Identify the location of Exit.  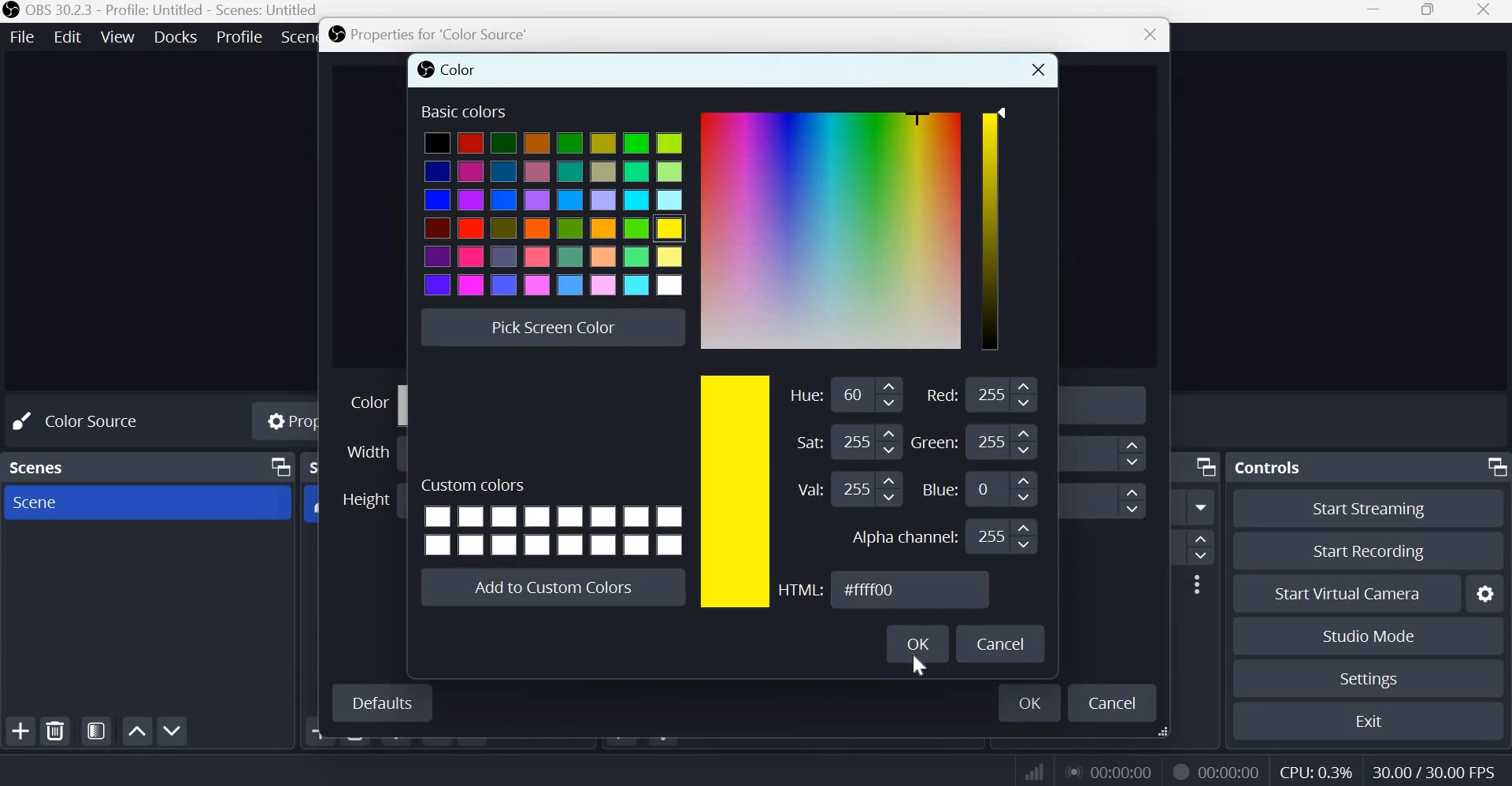
(1376, 721).